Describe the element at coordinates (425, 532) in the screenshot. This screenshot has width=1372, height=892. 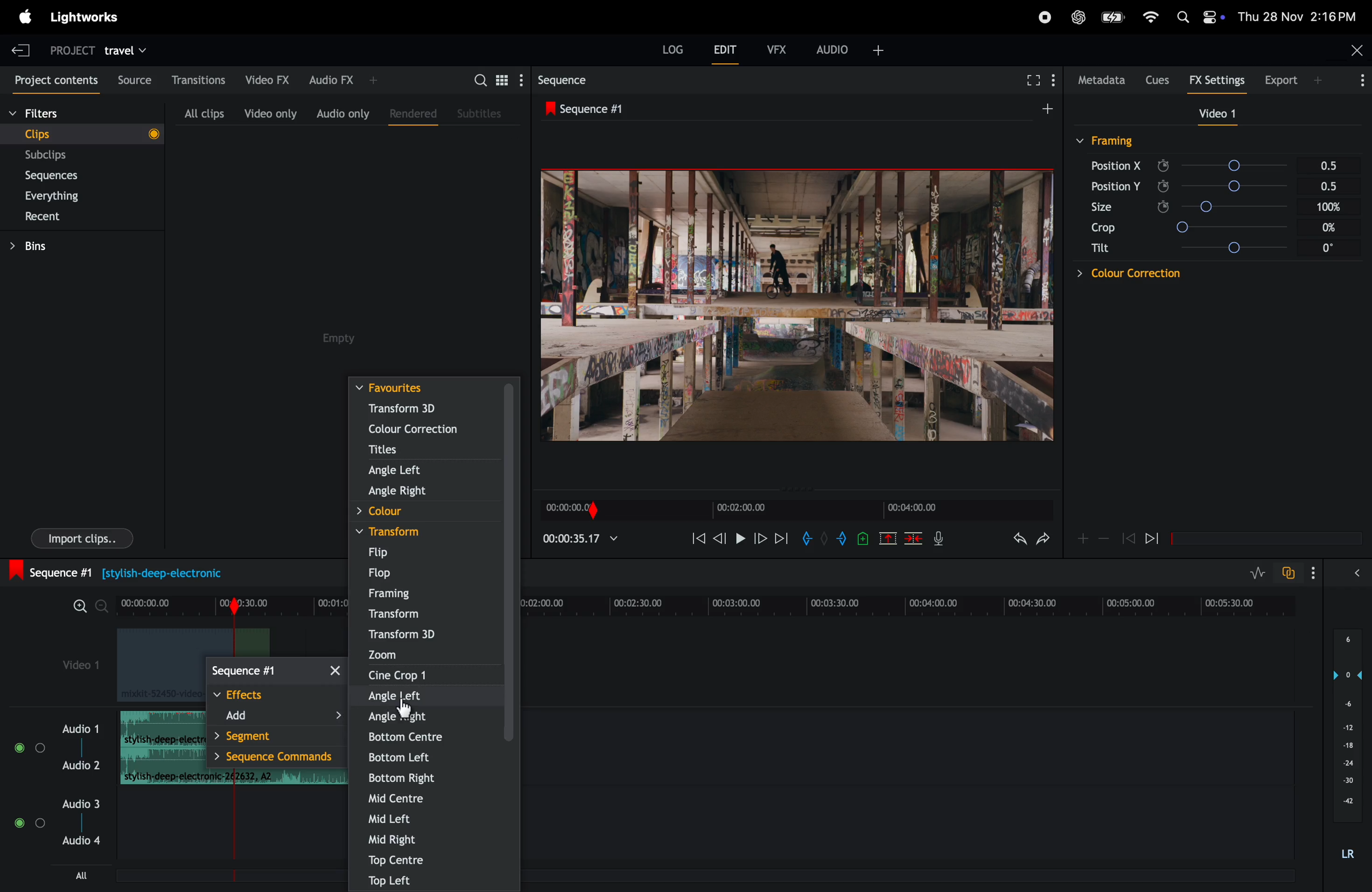
I see `transform` at that location.